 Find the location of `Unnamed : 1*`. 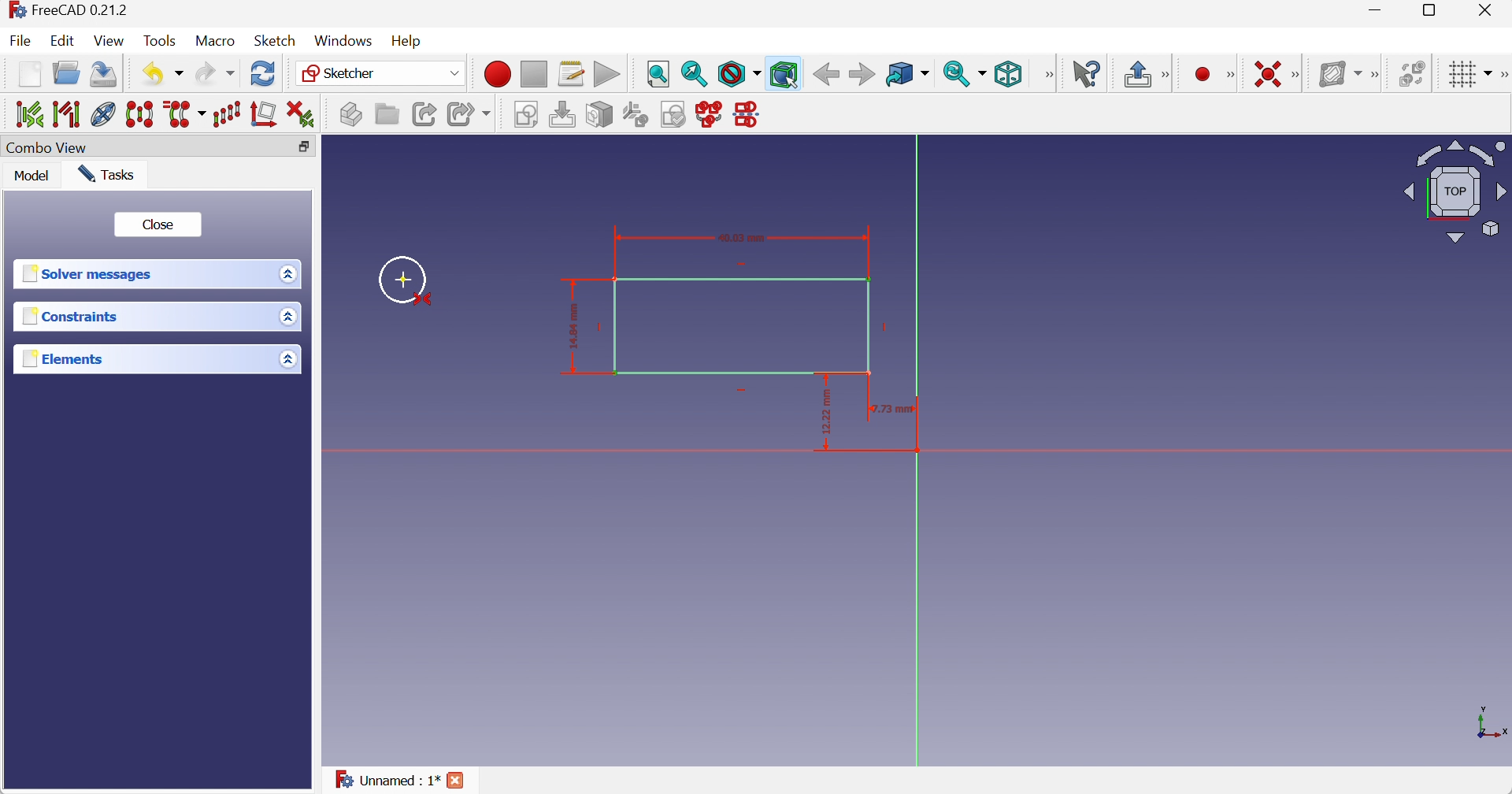

Unnamed : 1* is located at coordinates (387, 777).